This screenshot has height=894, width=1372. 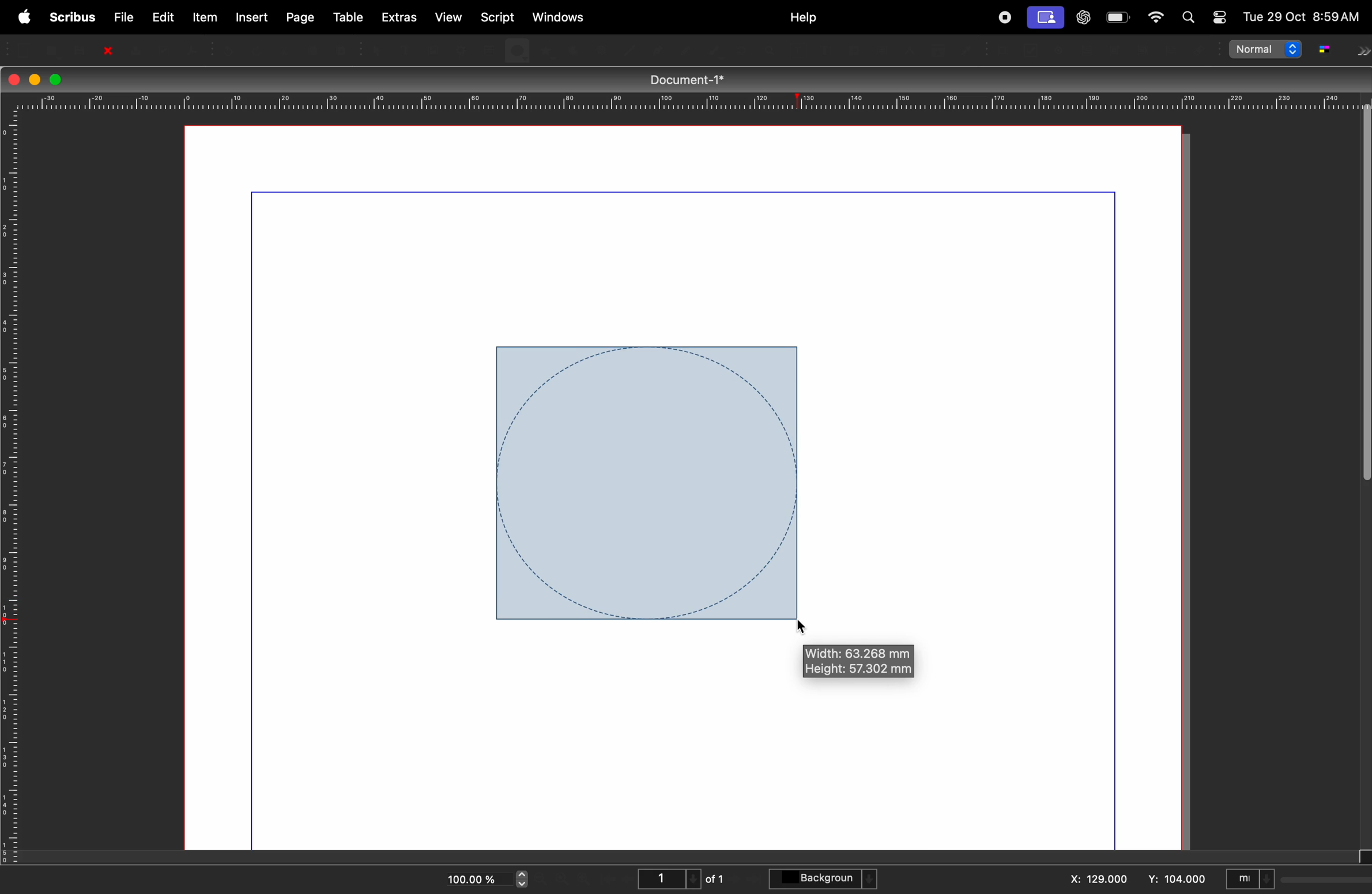 What do you see at coordinates (1198, 50) in the screenshot?
I see `Link annotation` at bounding box center [1198, 50].